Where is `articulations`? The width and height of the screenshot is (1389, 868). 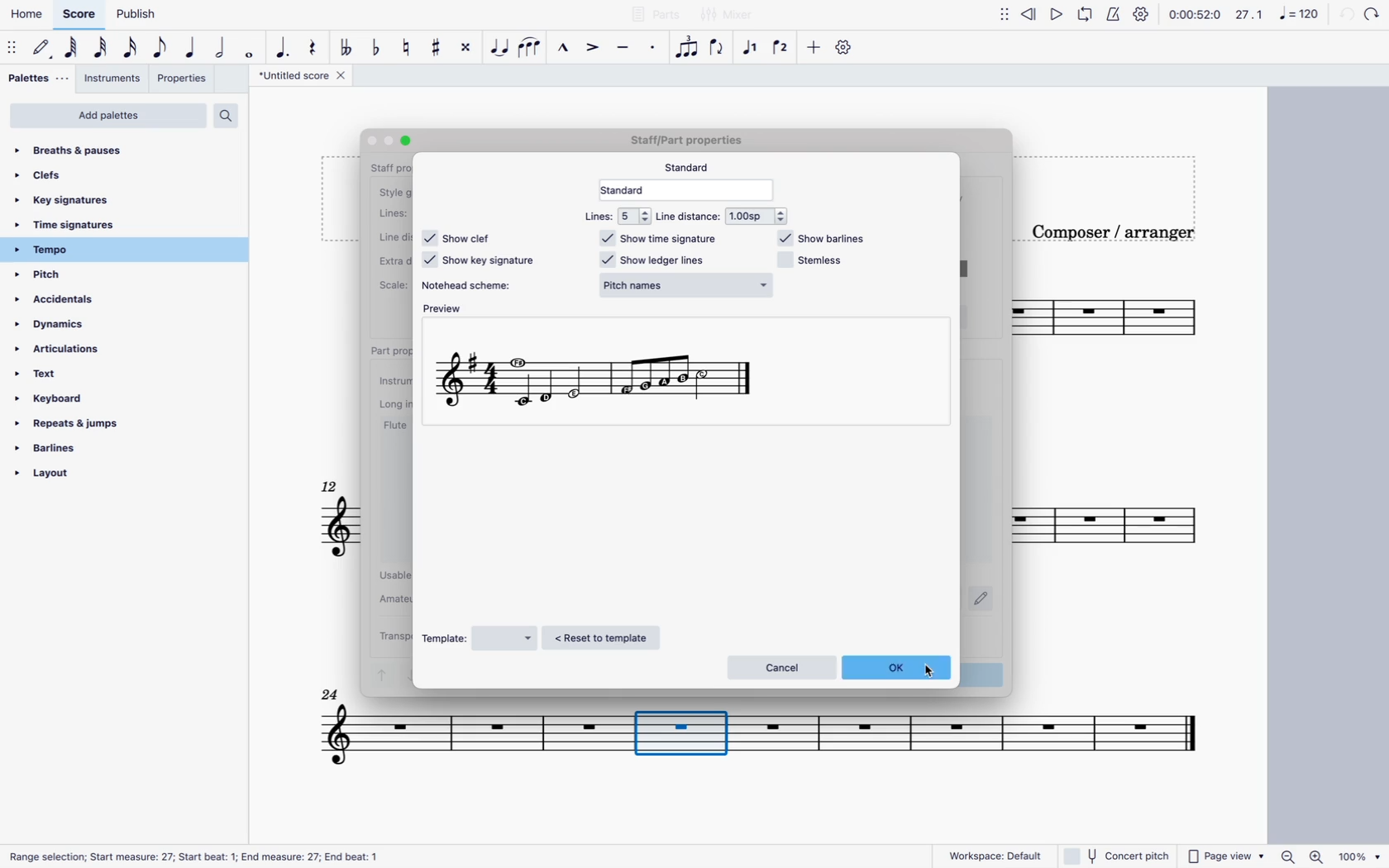
articulations is located at coordinates (79, 350).